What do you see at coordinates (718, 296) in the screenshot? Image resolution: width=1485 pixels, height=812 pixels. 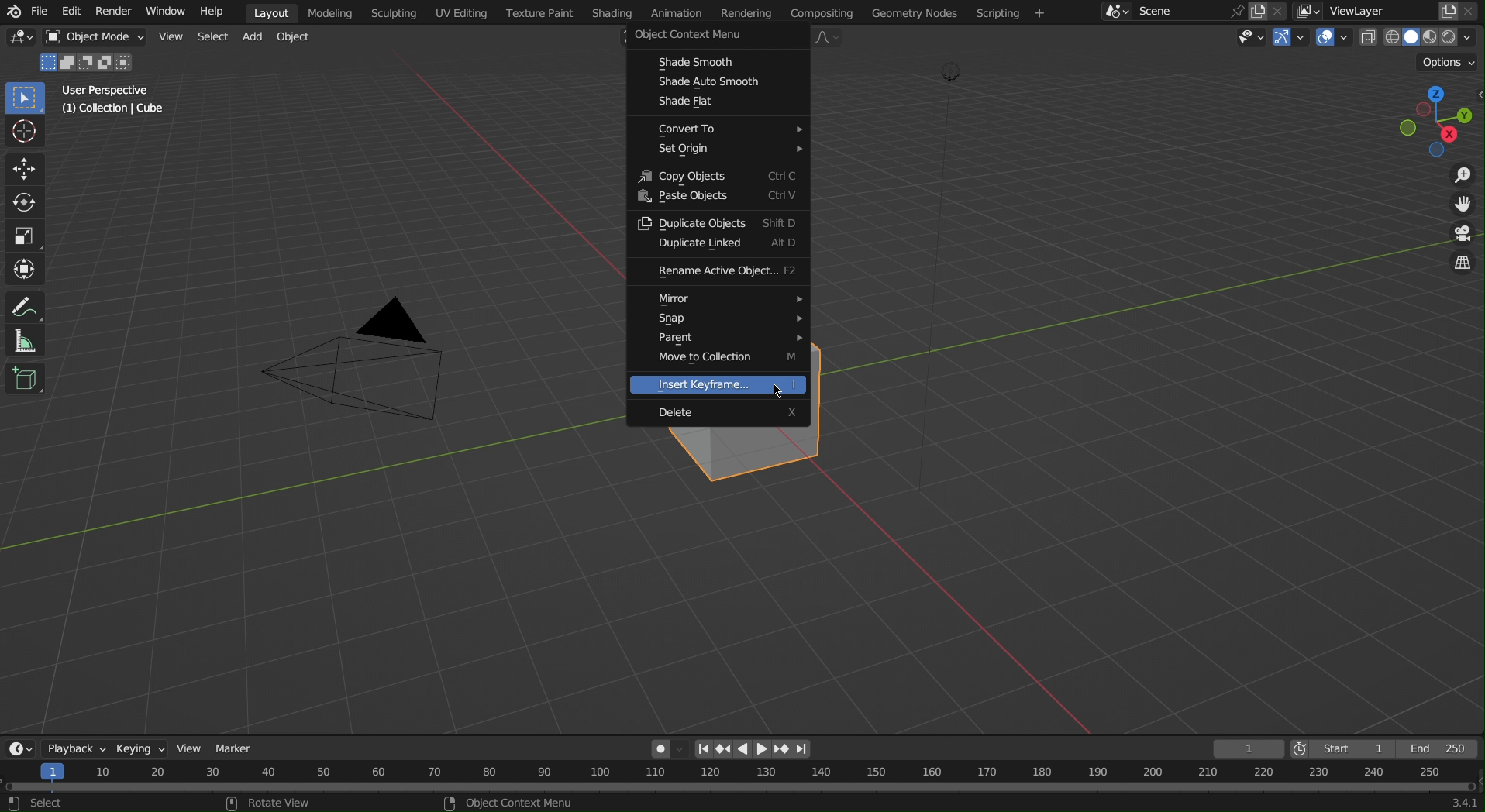 I see `Mirror ` at bounding box center [718, 296].